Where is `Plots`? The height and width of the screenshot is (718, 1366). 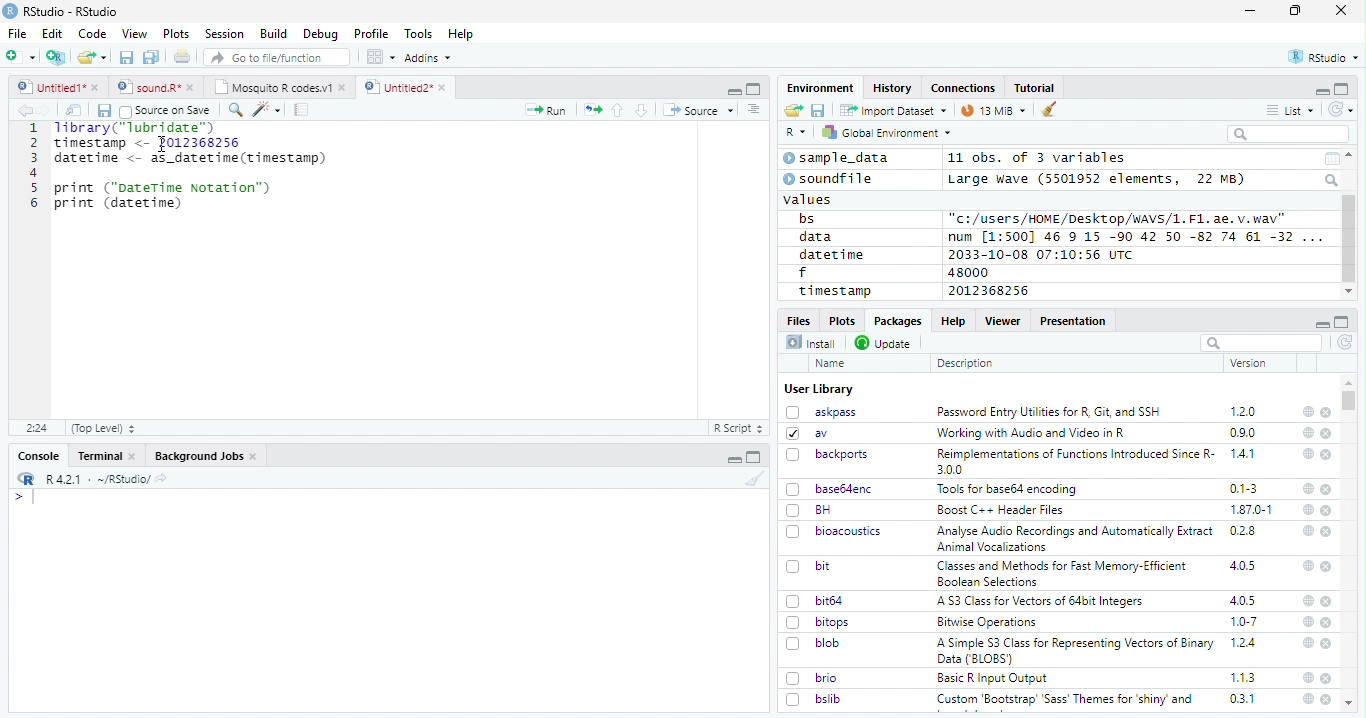
Plots is located at coordinates (841, 320).